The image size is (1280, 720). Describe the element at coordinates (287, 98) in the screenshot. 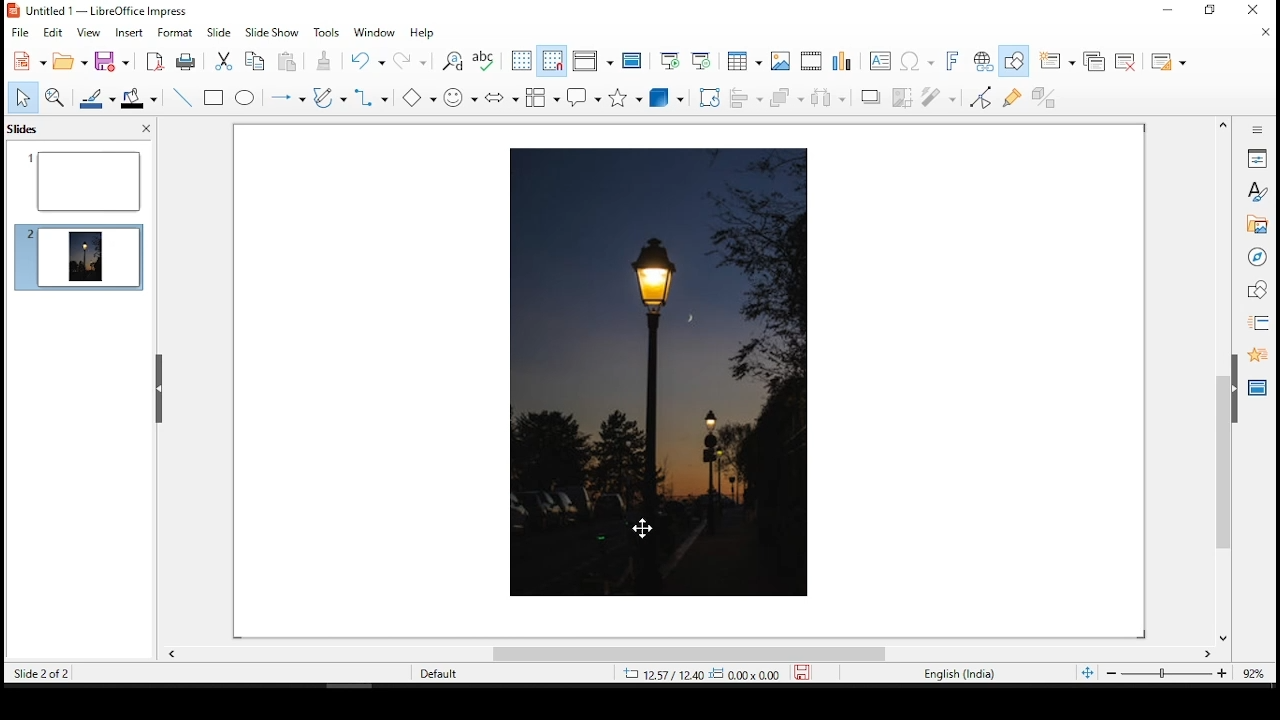

I see `lines and arrows` at that location.